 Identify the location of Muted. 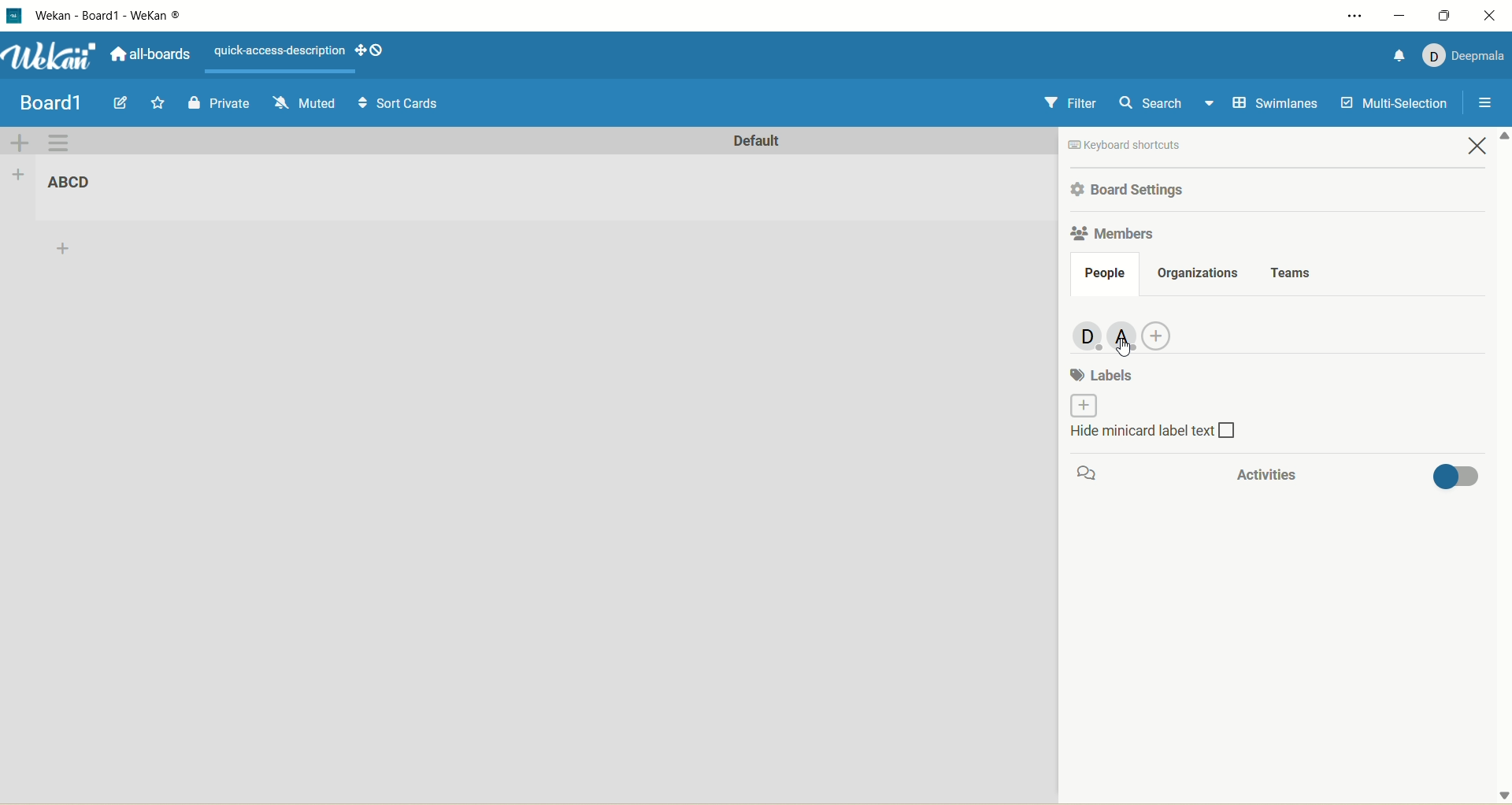
(303, 101).